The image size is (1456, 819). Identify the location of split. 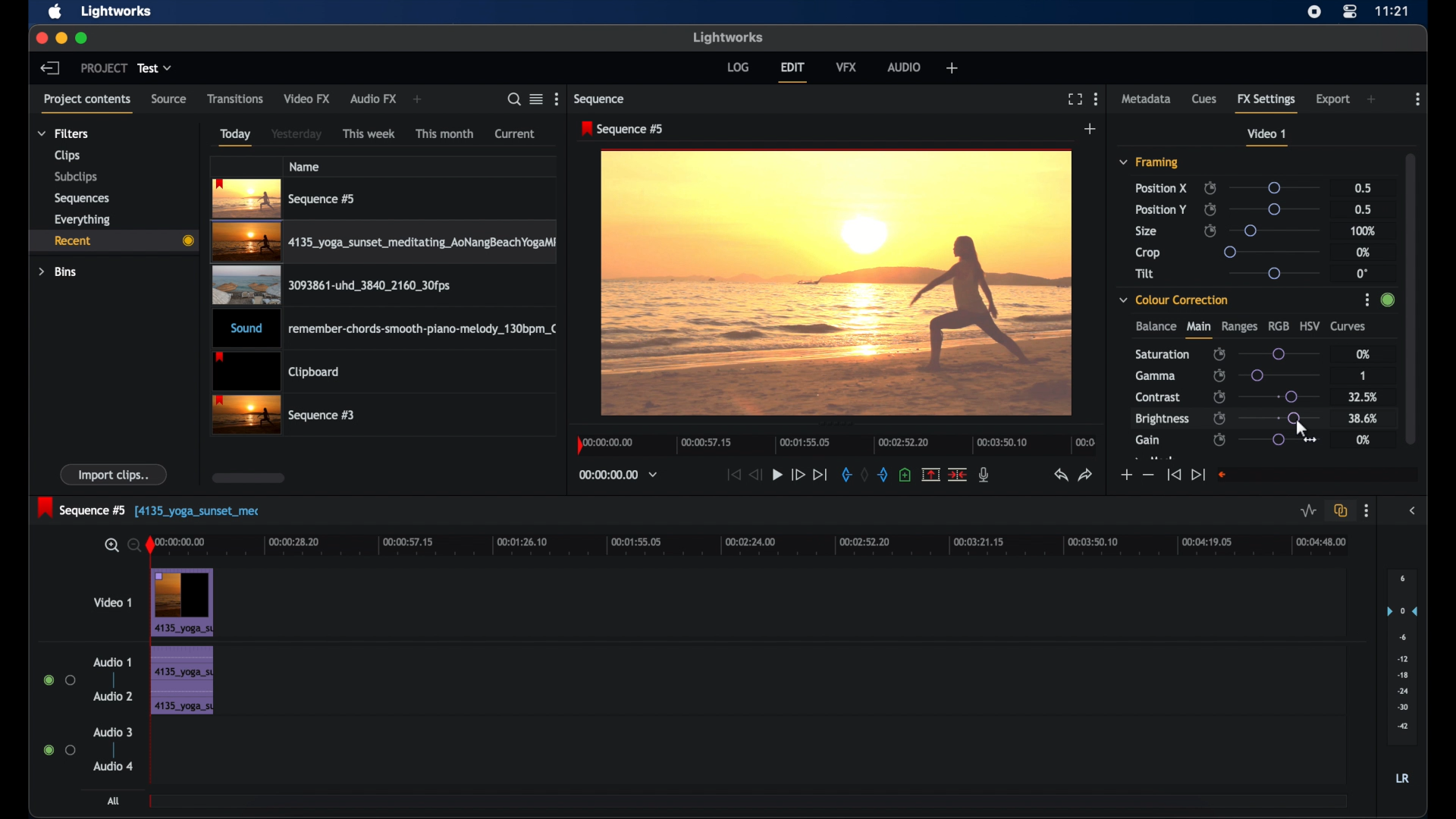
(959, 473).